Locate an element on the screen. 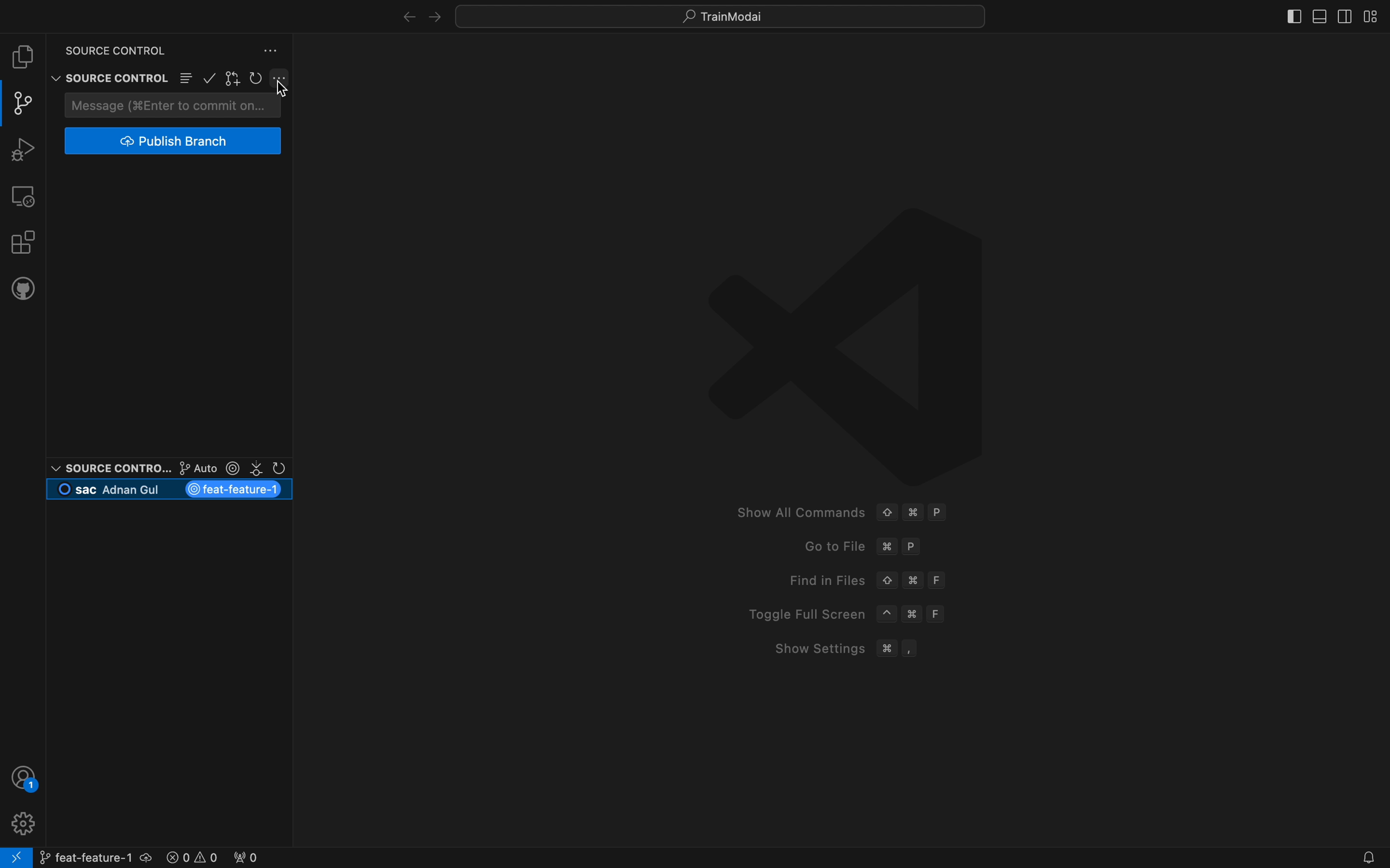 The width and height of the screenshot is (1390, 868). Up is located at coordinates (886, 511).